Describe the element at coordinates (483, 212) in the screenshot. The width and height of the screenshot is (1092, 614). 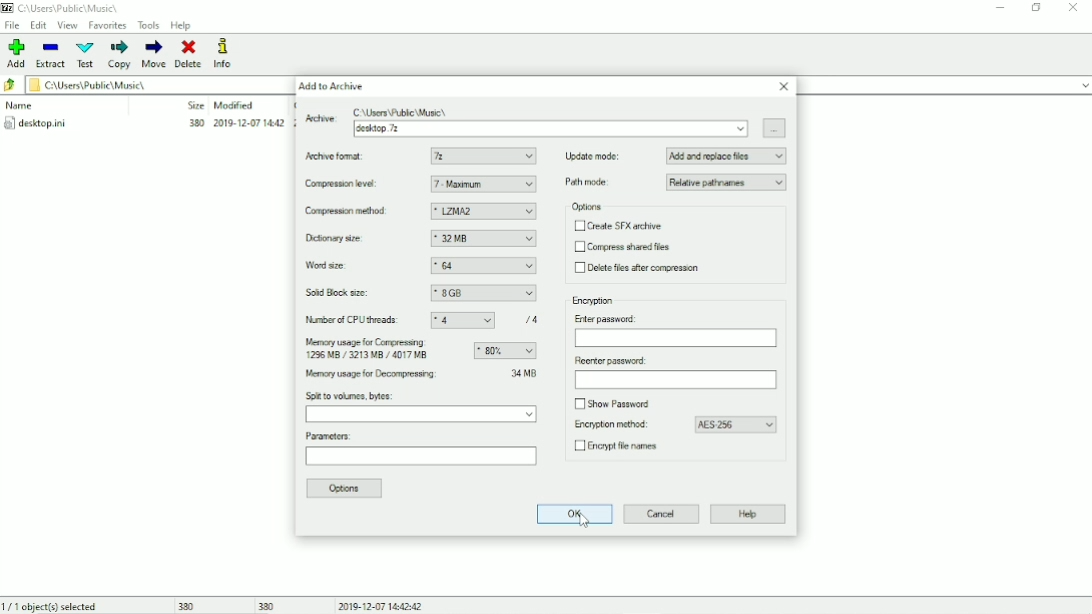
I see `LZMA2` at that location.